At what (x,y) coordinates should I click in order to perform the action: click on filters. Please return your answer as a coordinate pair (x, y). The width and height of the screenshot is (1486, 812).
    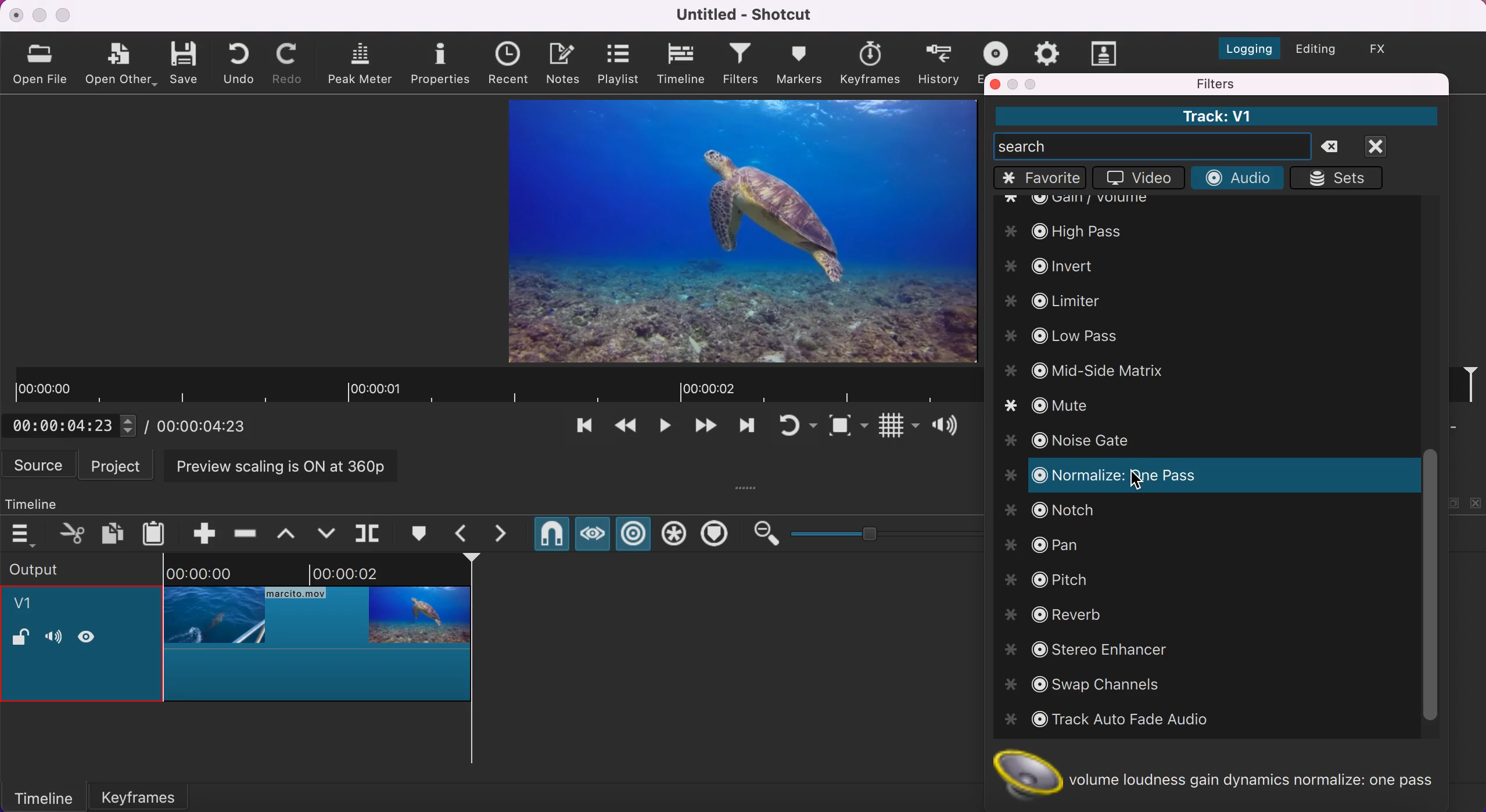
    Looking at the image, I should click on (1274, 84).